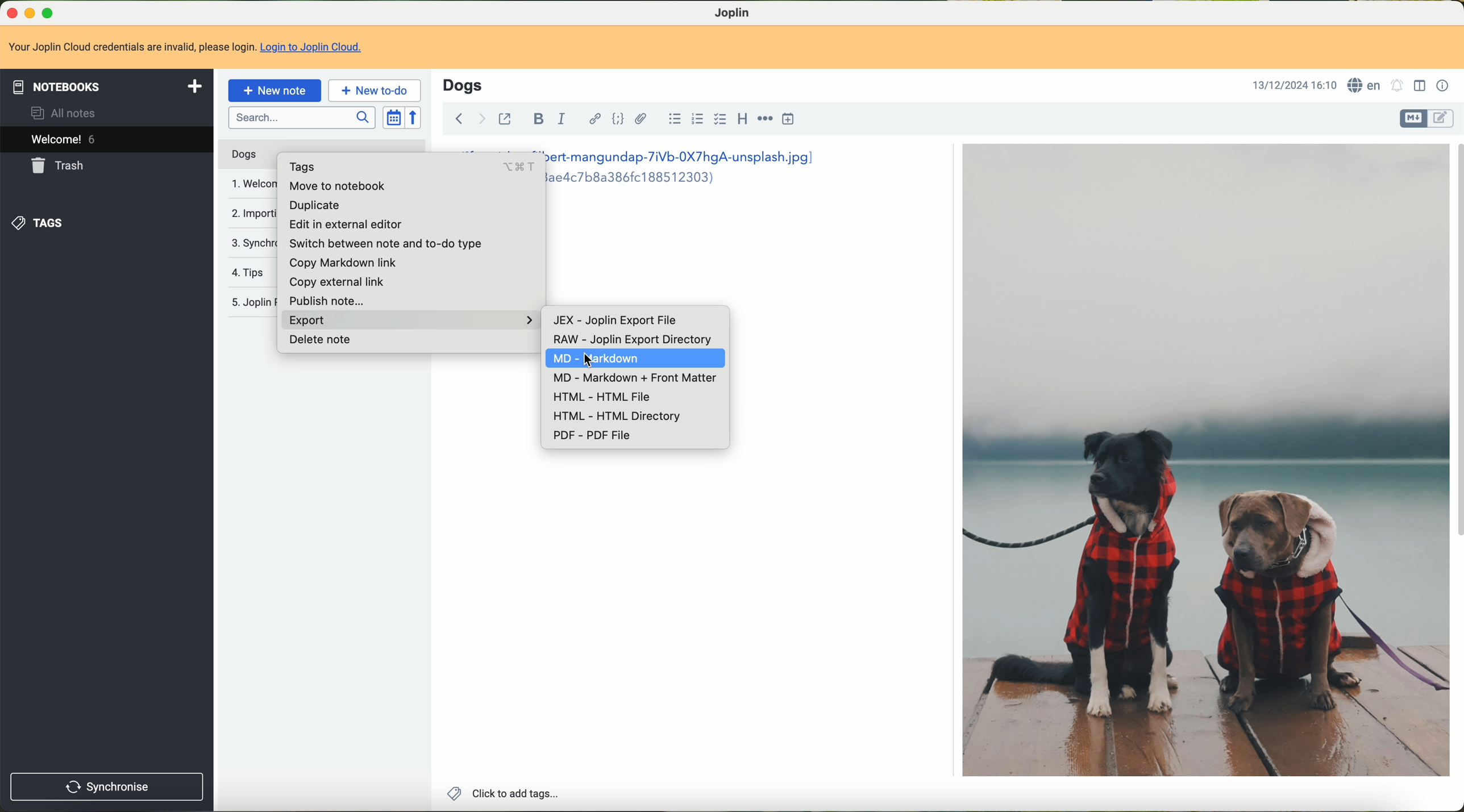 Image resolution: width=1464 pixels, height=812 pixels. What do you see at coordinates (42, 221) in the screenshot?
I see `tags` at bounding box center [42, 221].